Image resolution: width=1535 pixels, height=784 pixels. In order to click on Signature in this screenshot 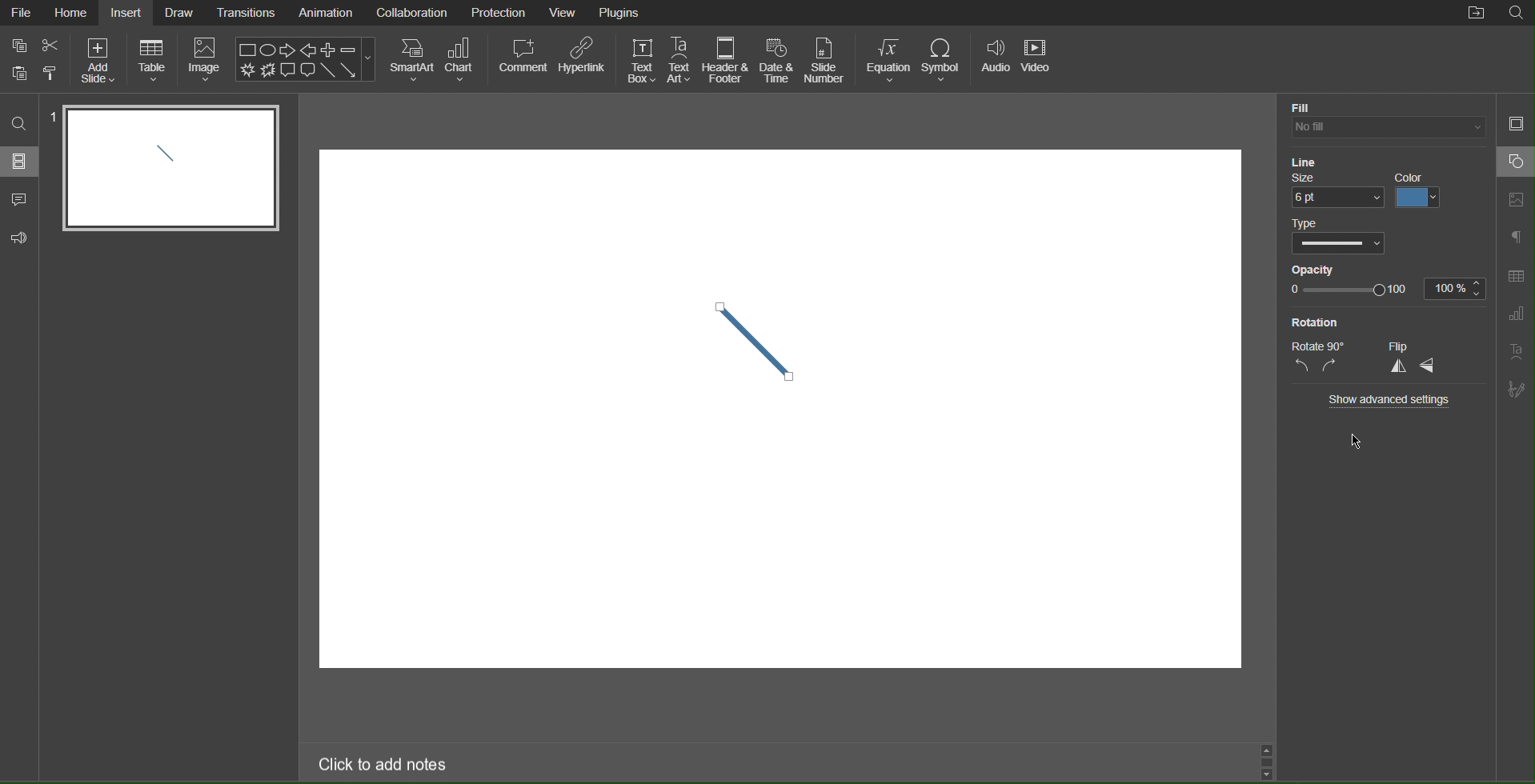, I will do `click(1517, 390)`.